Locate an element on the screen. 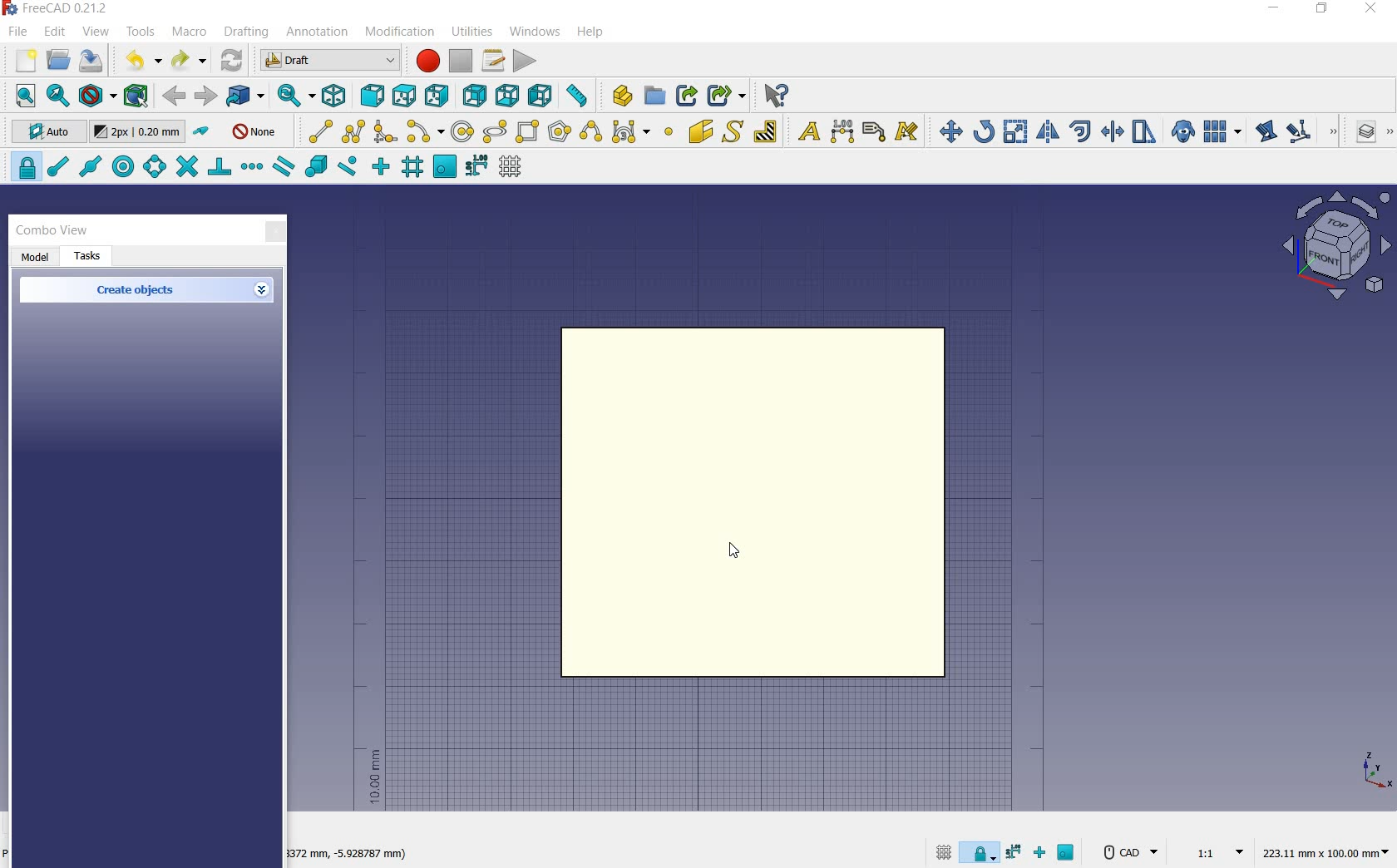 The height and width of the screenshot is (868, 1397). current working plane: auto is located at coordinates (43, 134).